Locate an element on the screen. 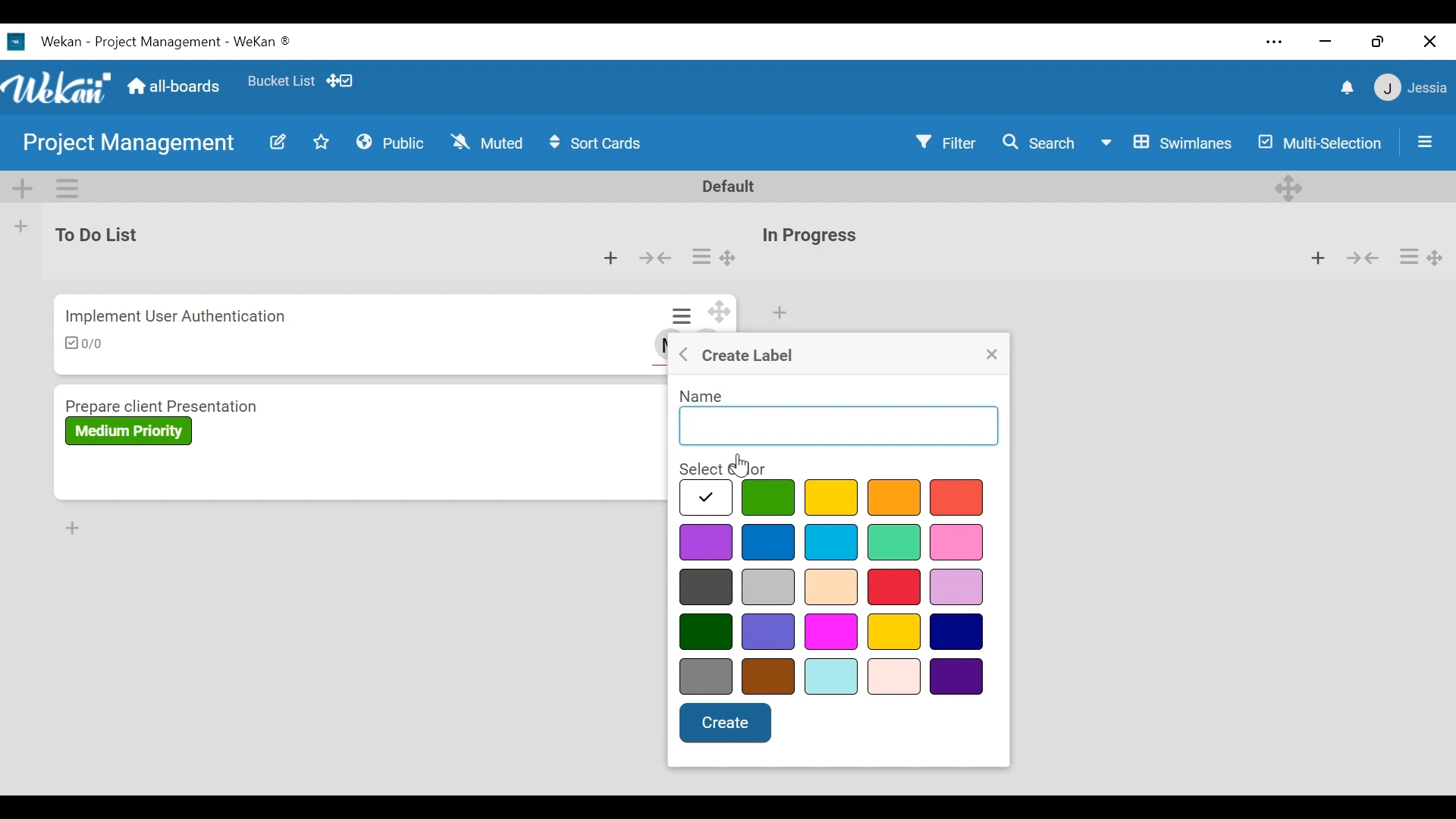 The width and height of the screenshot is (1456, 819). Muted is located at coordinates (486, 142).